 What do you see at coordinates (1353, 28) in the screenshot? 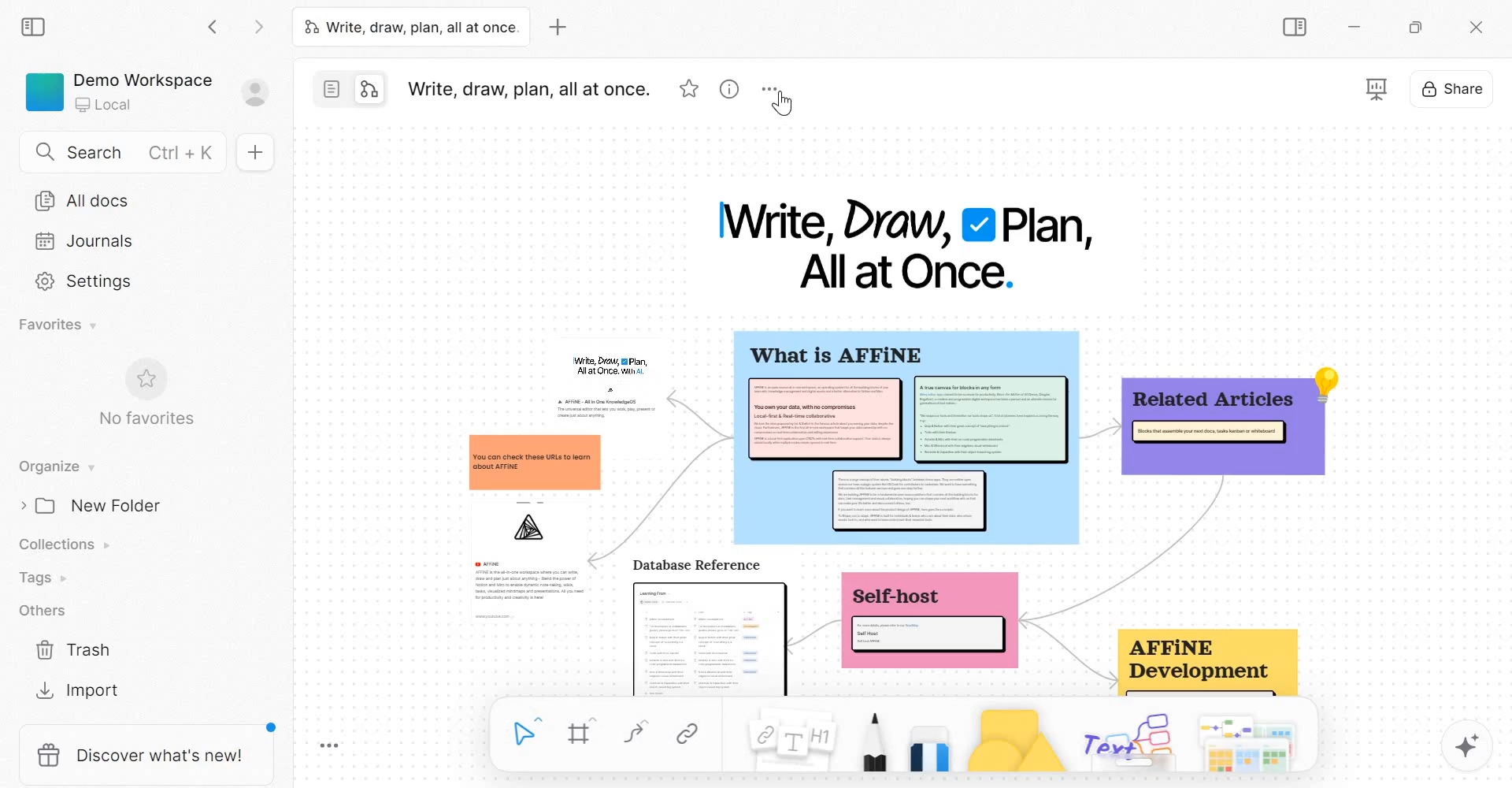
I see `Minimize` at bounding box center [1353, 28].